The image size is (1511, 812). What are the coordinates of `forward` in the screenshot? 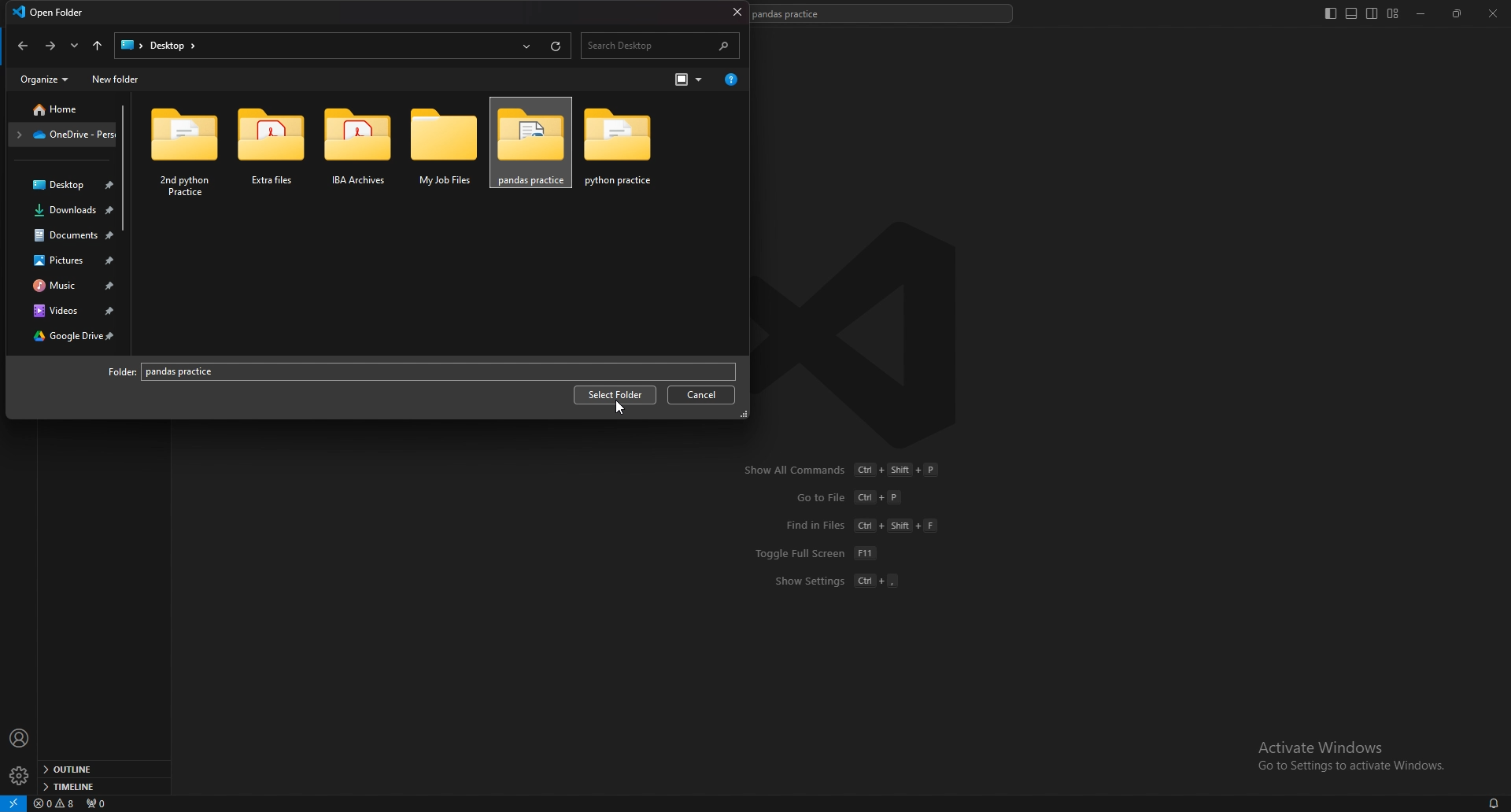 It's located at (50, 46).